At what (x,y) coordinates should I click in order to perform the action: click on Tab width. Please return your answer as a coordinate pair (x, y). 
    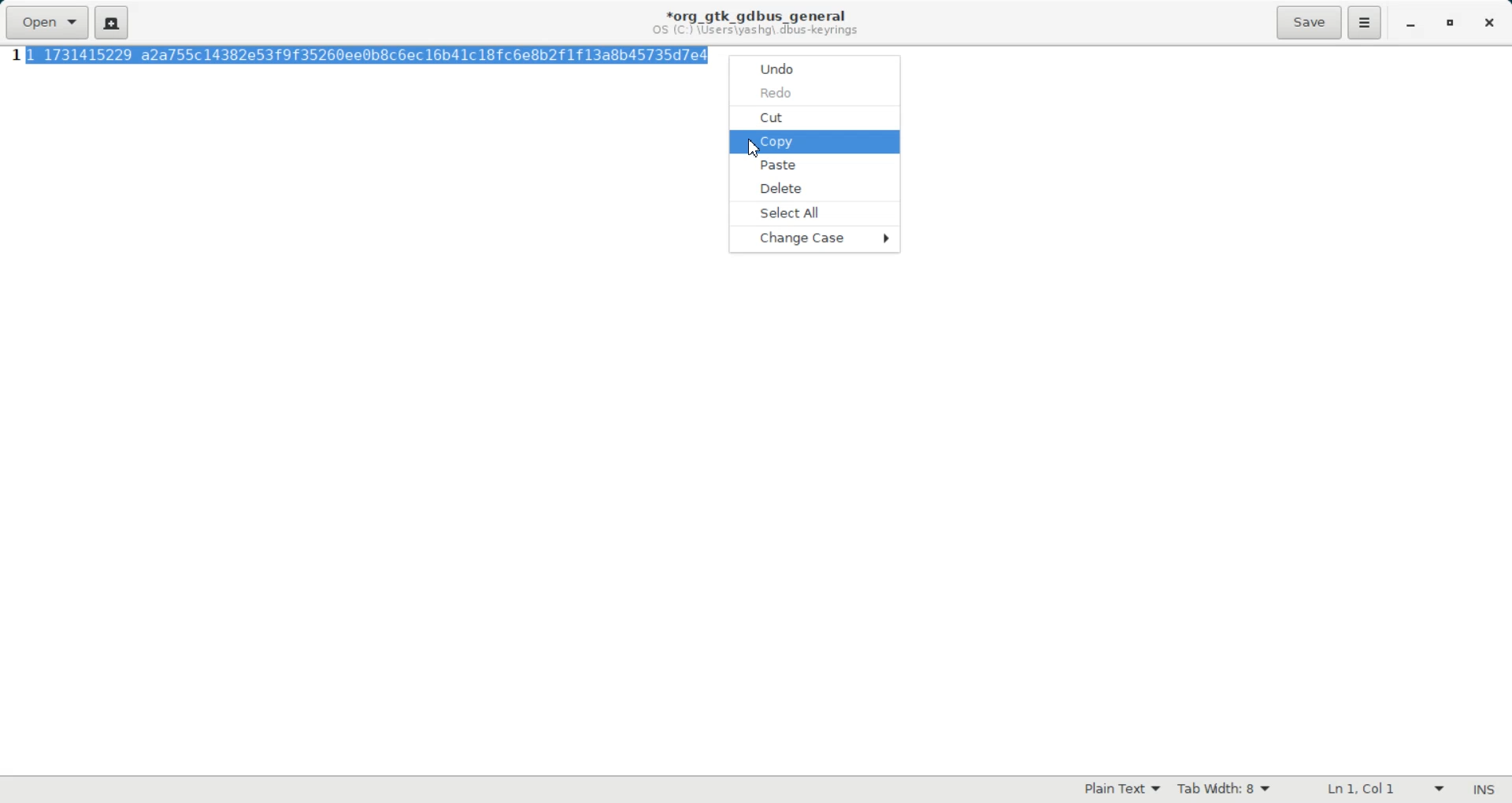
    Looking at the image, I should click on (1225, 790).